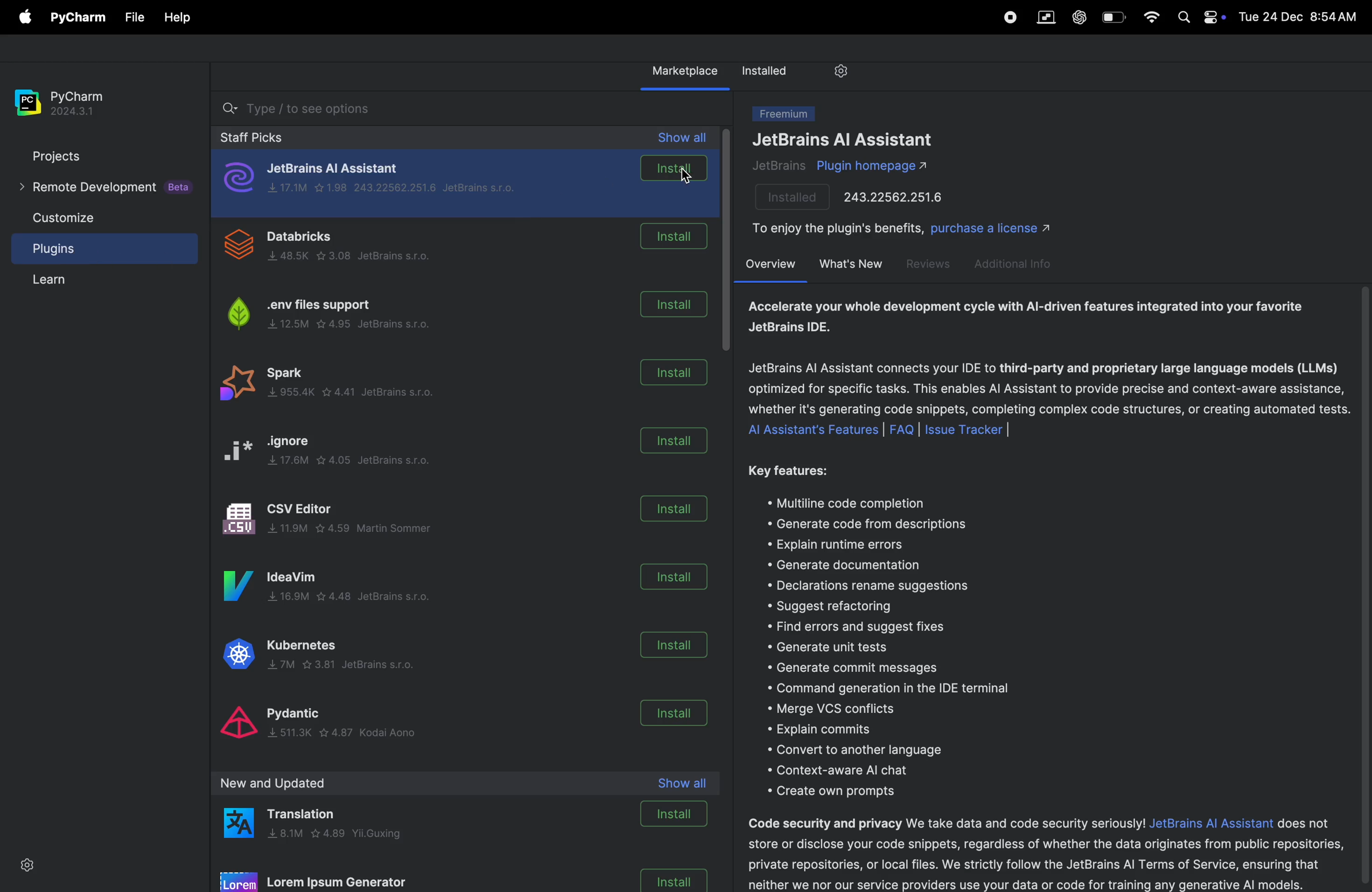 Image resolution: width=1372 pixels, height=892 pixels. What do you see at coordinates (276, 781) in the screenshot?
I see `new and upload` at bounding box center [276, 781].